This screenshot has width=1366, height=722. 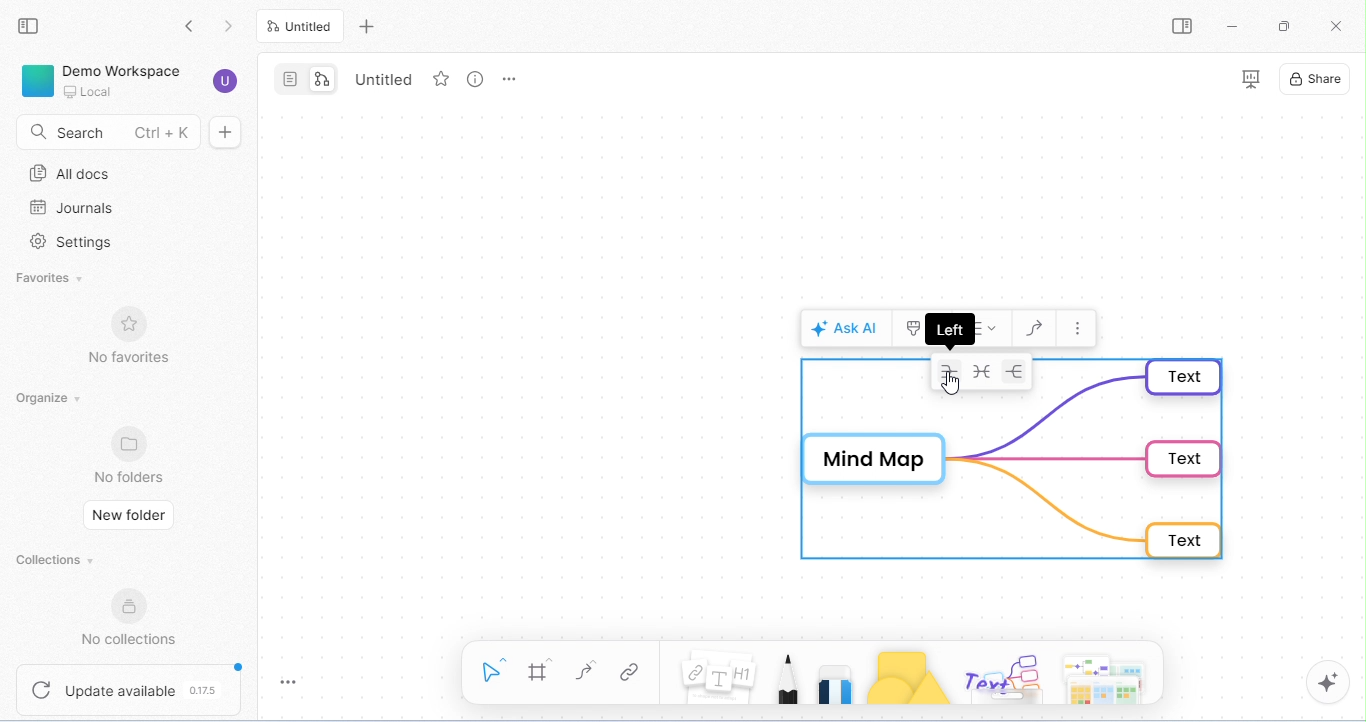 I want to click on cursor movement, so click(x=951, y=384).